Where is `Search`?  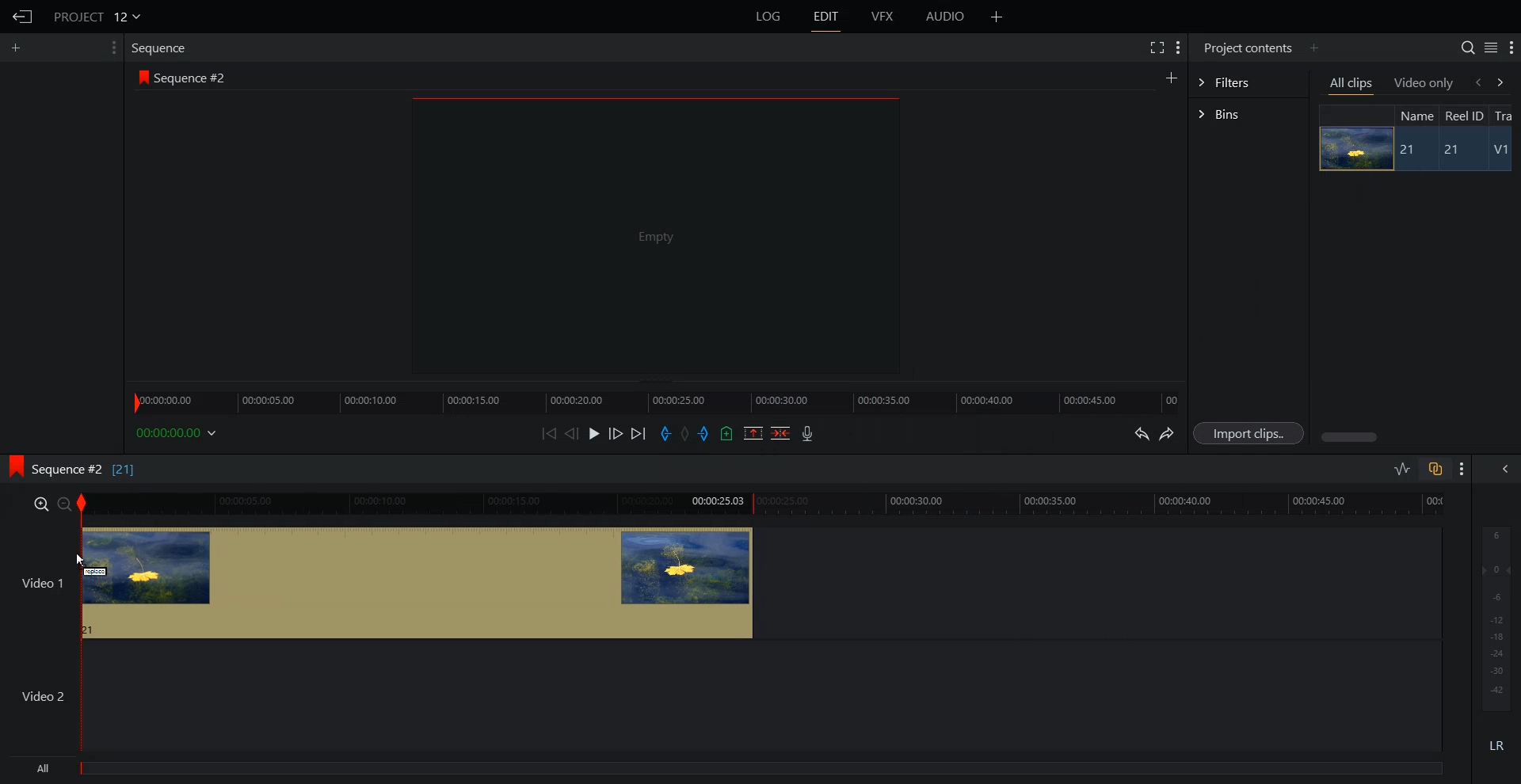
Search is located at coordinates (1467, 48).